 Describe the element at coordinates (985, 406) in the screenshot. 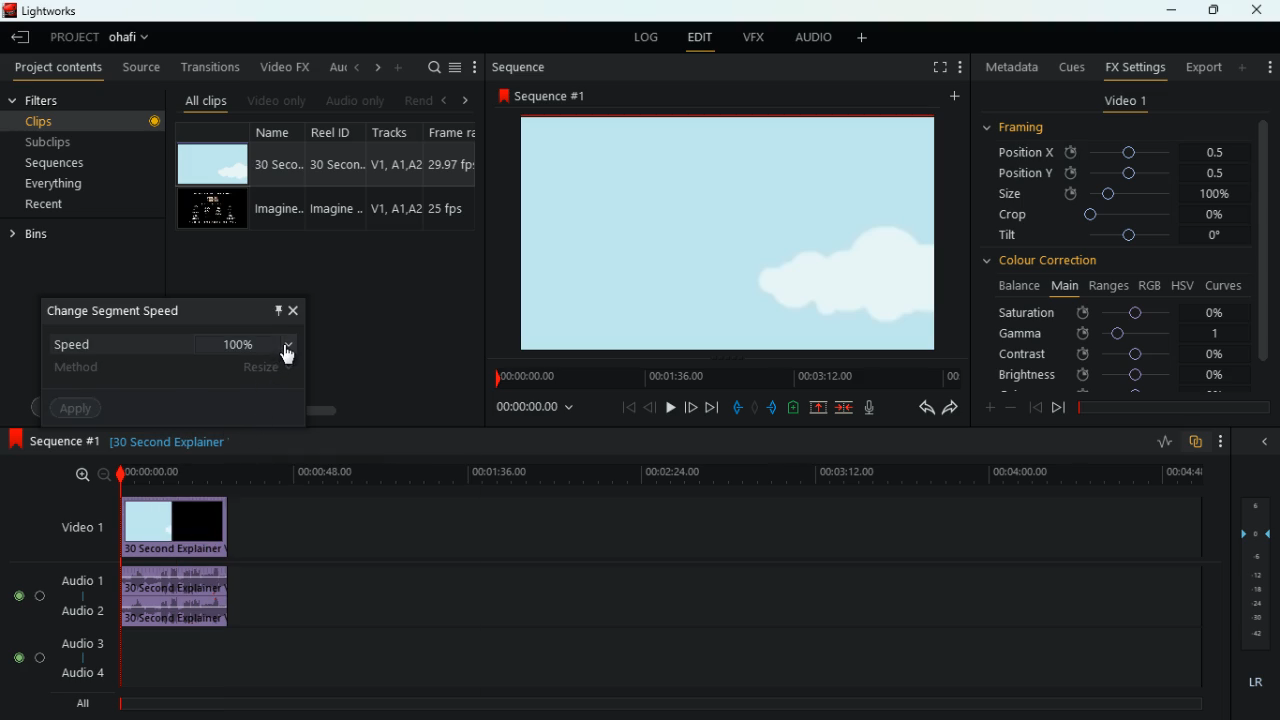

I see `plus` at that location.